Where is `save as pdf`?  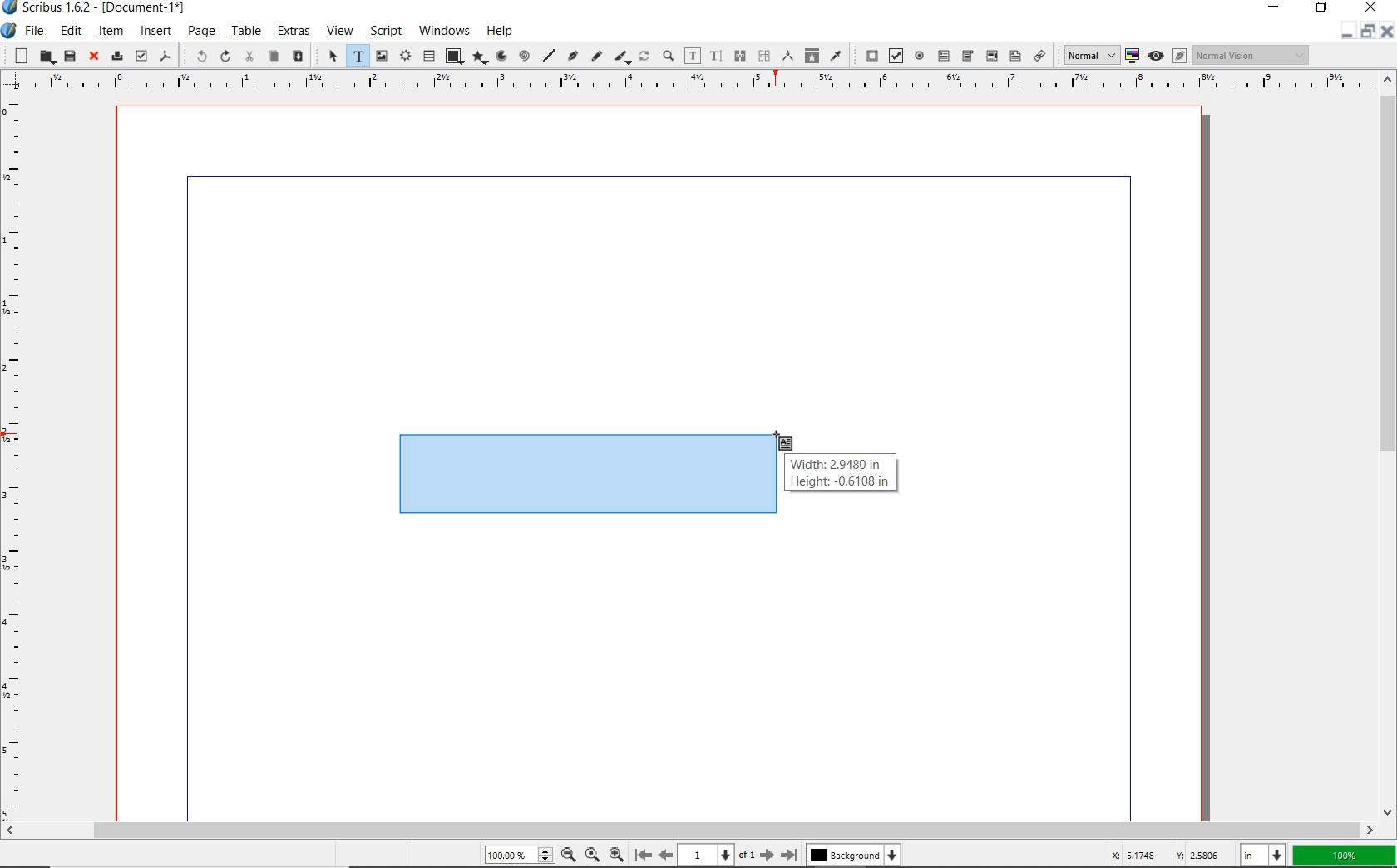
save as pdf is located at coordinates (166, 57).